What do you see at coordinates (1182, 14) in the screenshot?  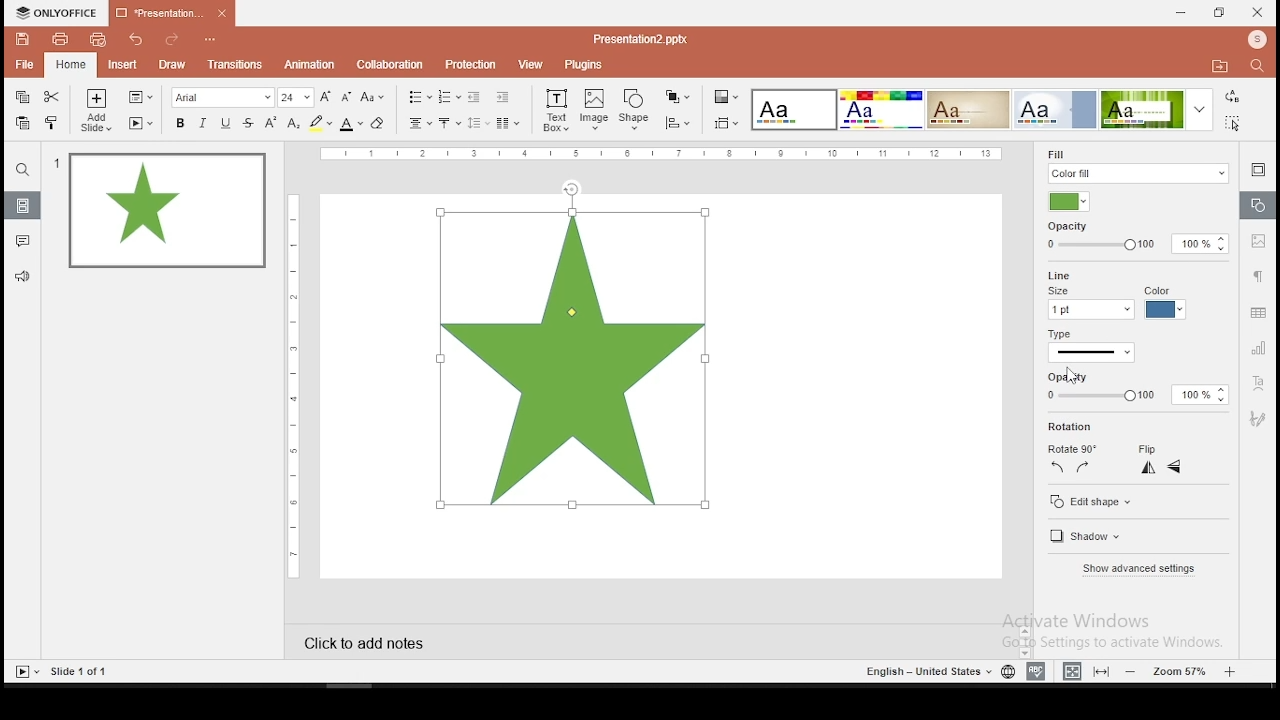 I see `minimize` at bounding box center [1182, 14].